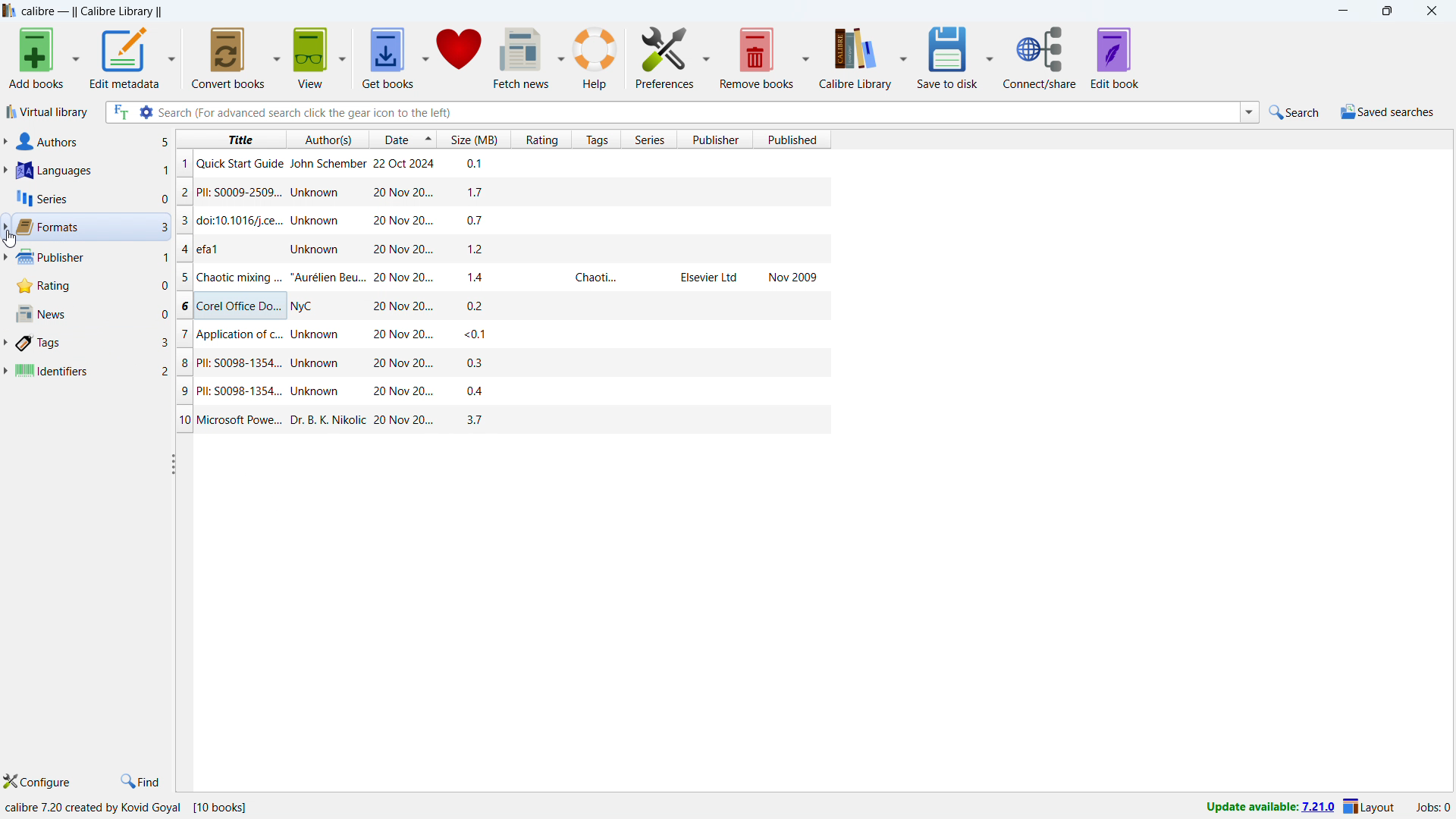 This screenshot has width=1456, height=819. I want to click on tags, so click(92, 344).